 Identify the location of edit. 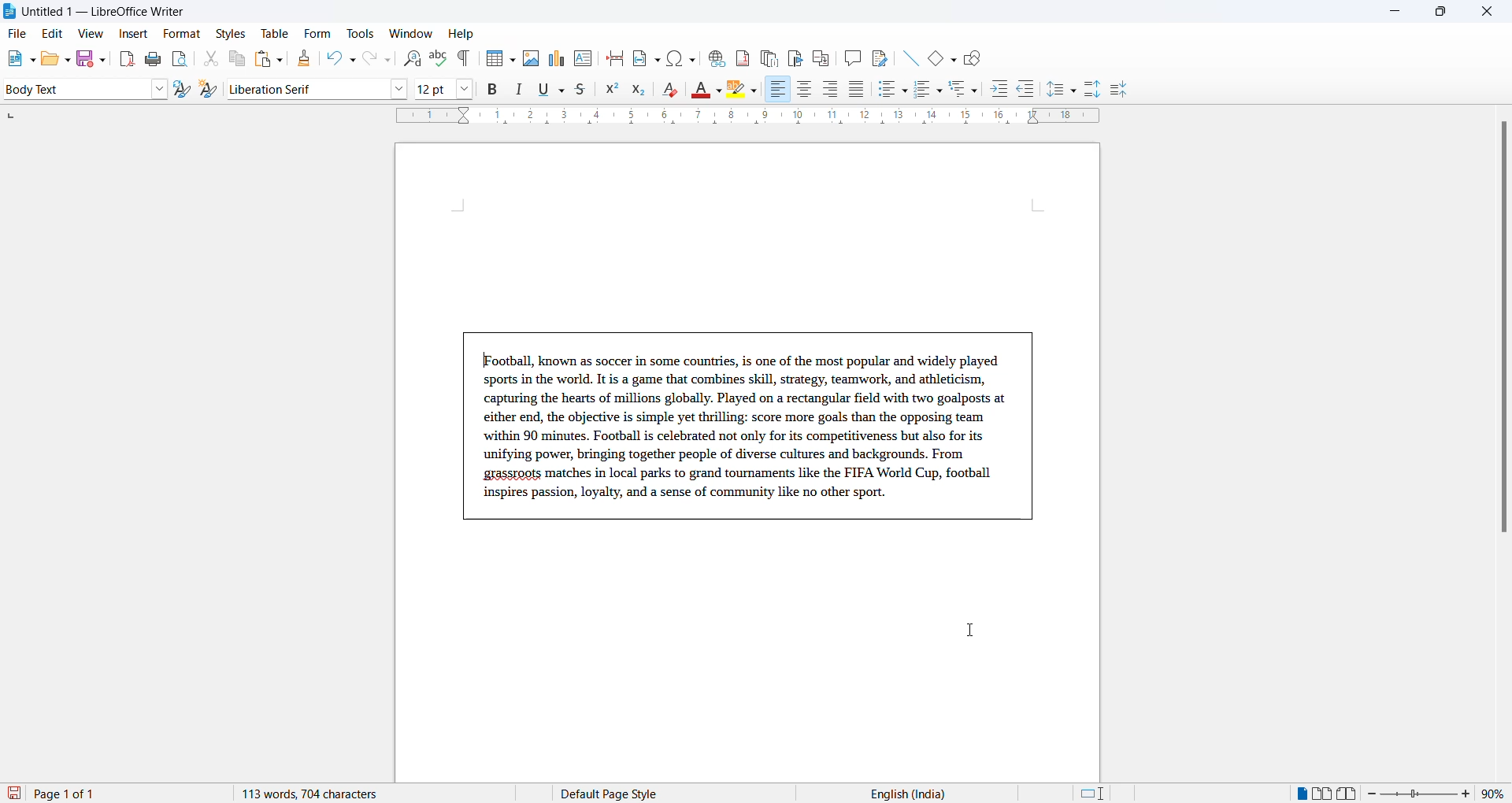
(54, 34).